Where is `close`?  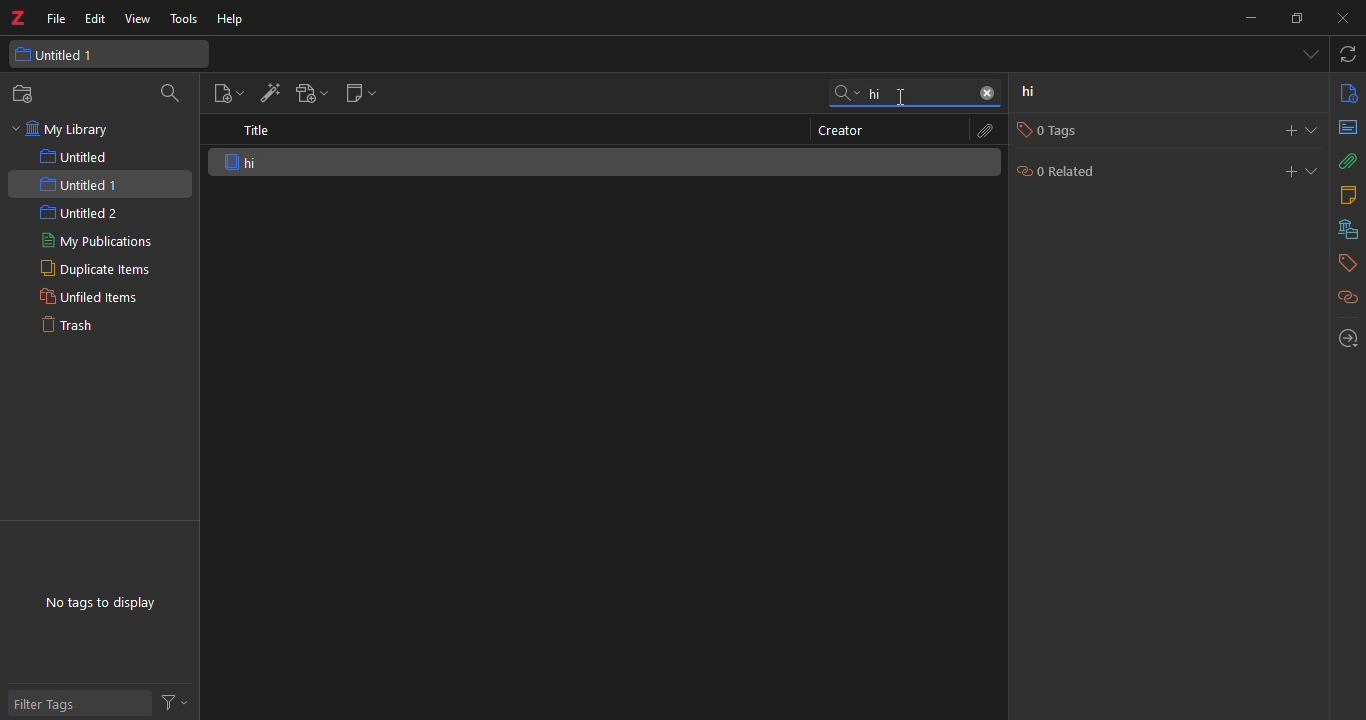
close is located at coordinates (1347, 16).